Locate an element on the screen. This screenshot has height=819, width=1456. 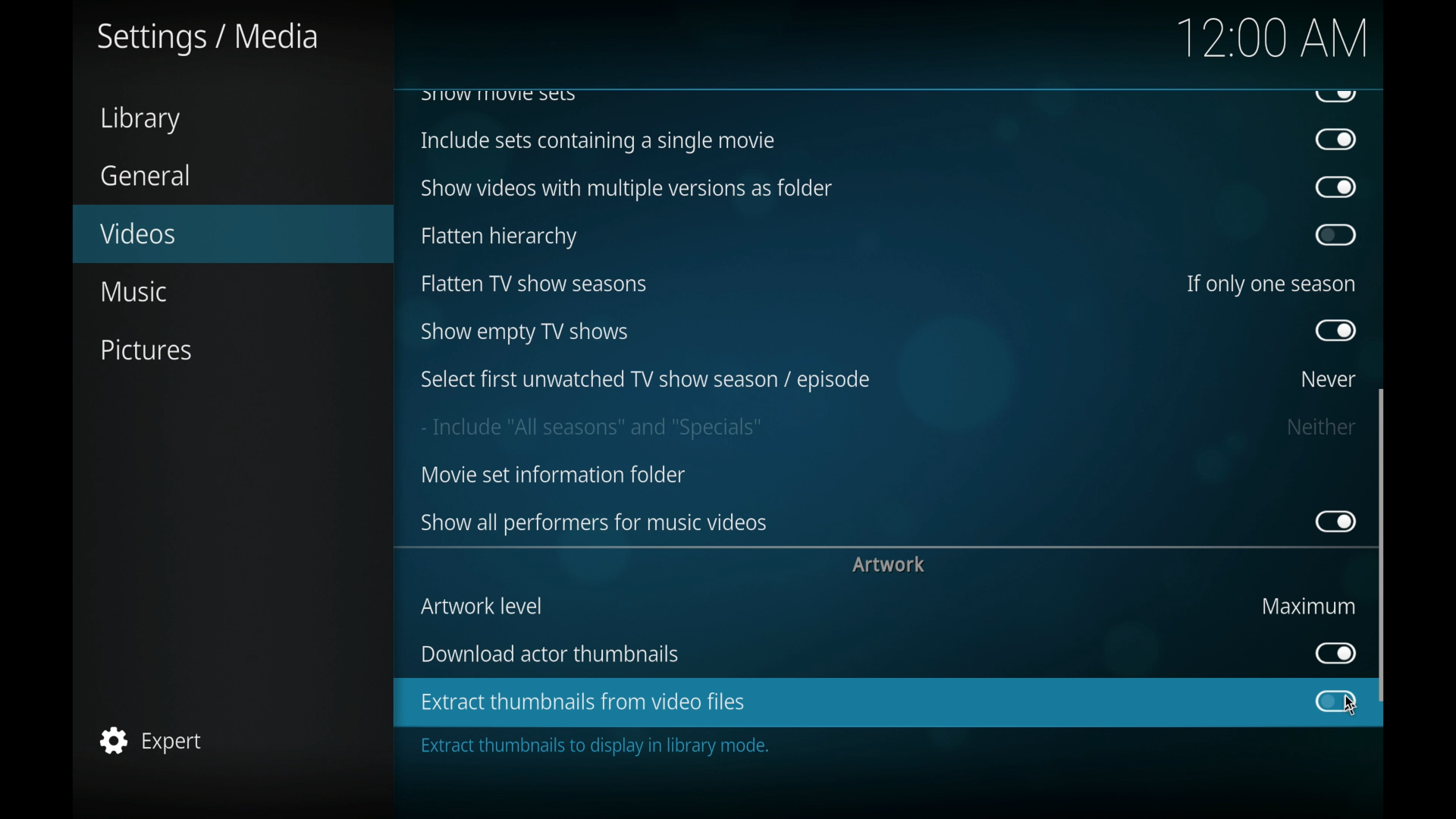
artwork is located at coordinates (889, 565).